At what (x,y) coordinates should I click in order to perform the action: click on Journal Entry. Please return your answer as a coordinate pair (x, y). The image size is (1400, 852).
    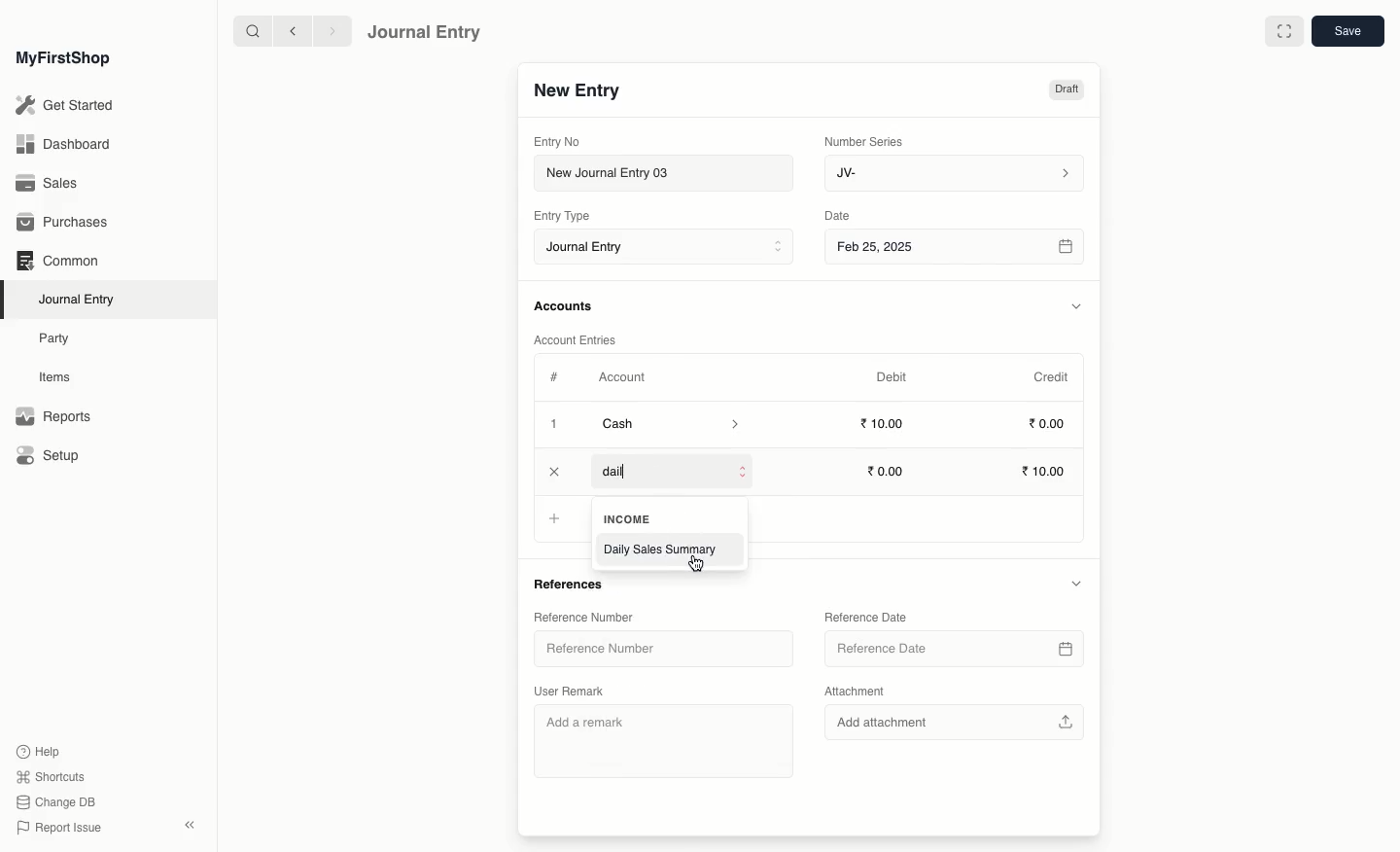
    Looking at the image, I should click on (425, 31).